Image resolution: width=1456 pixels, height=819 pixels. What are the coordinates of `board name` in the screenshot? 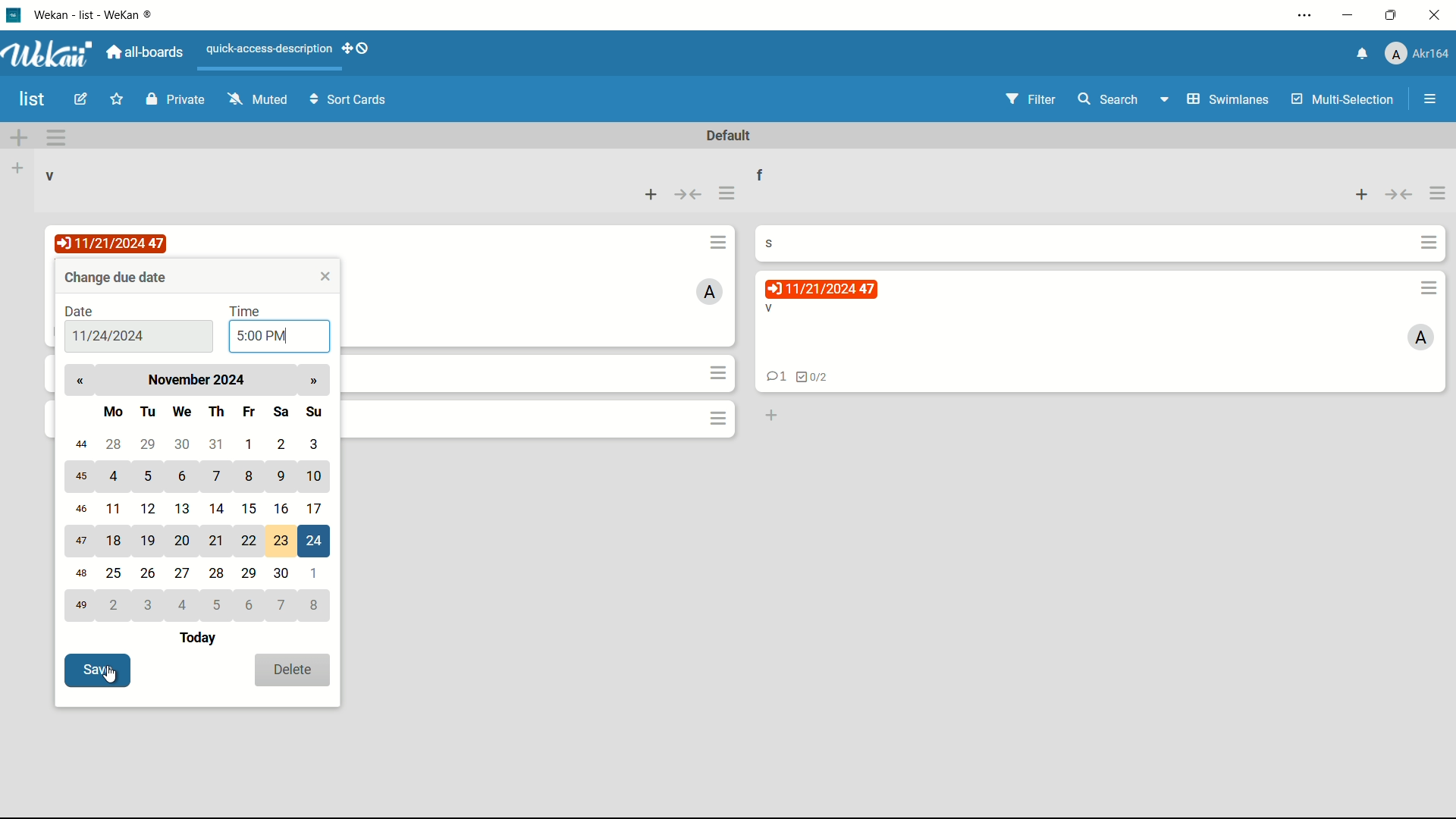 It's located at (33, 99).